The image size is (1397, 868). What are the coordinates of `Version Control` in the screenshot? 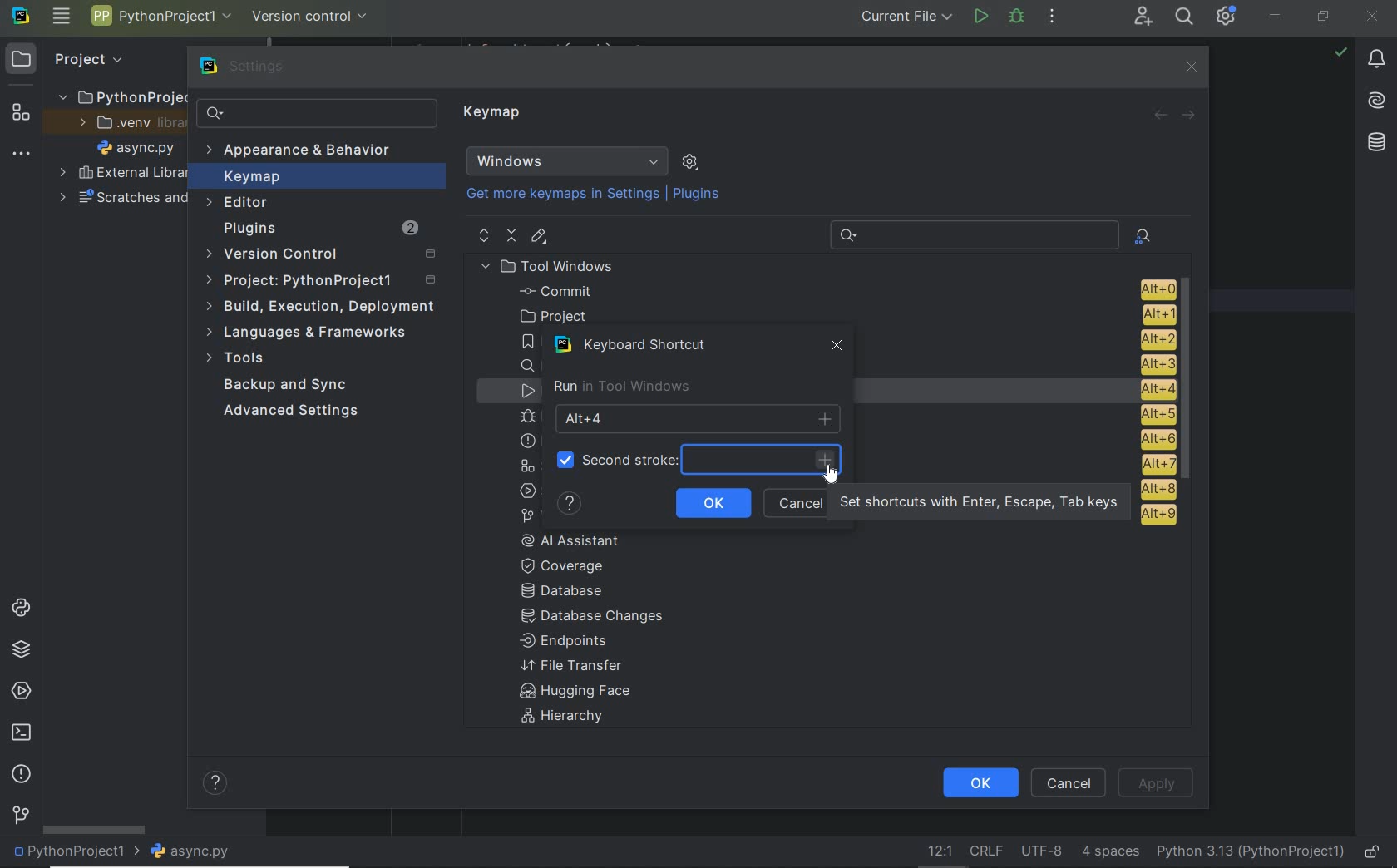 It's located at (320, 255).